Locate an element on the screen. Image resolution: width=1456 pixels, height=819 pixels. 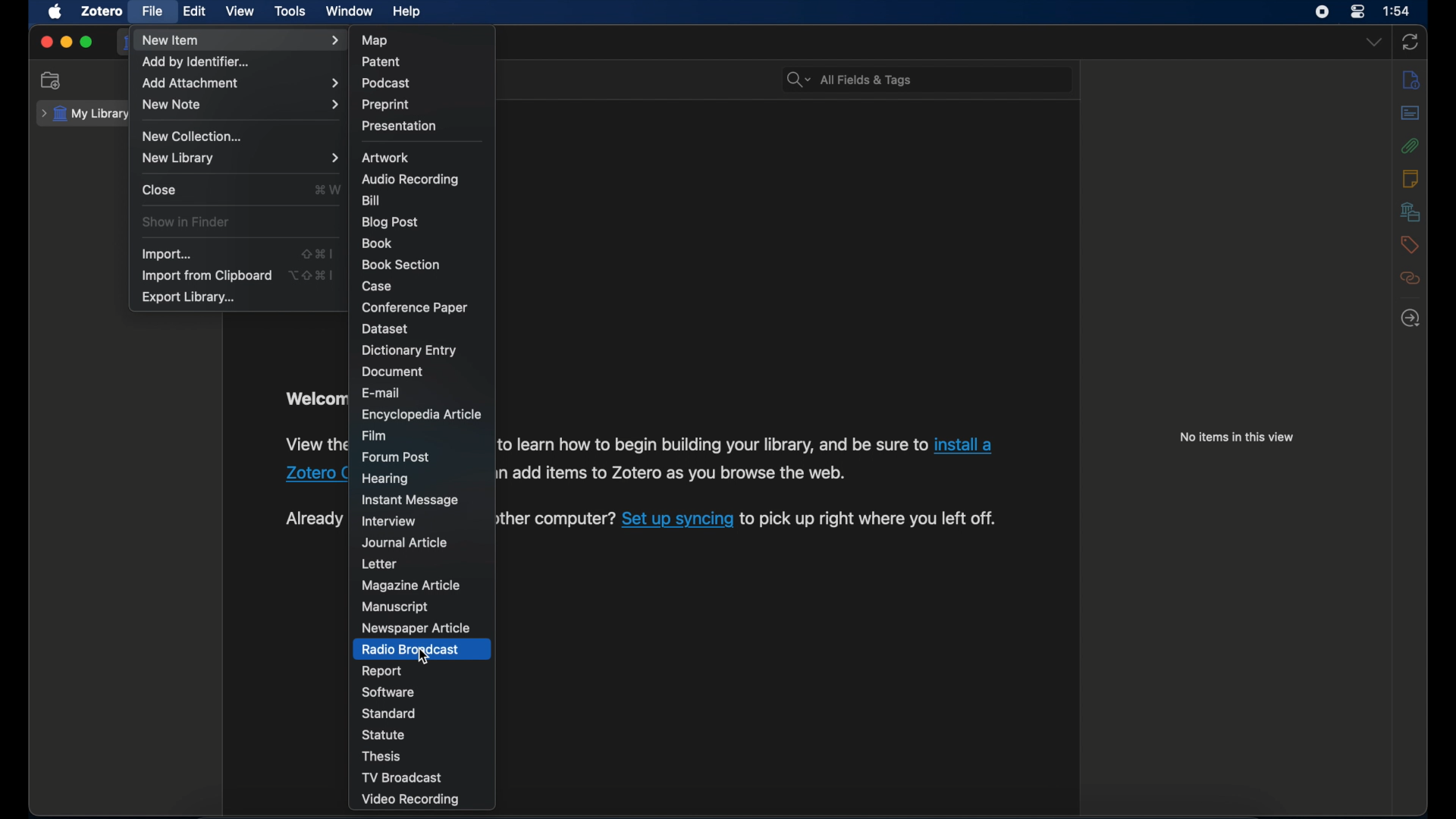
magazine article is located at coordinates (409, 585).